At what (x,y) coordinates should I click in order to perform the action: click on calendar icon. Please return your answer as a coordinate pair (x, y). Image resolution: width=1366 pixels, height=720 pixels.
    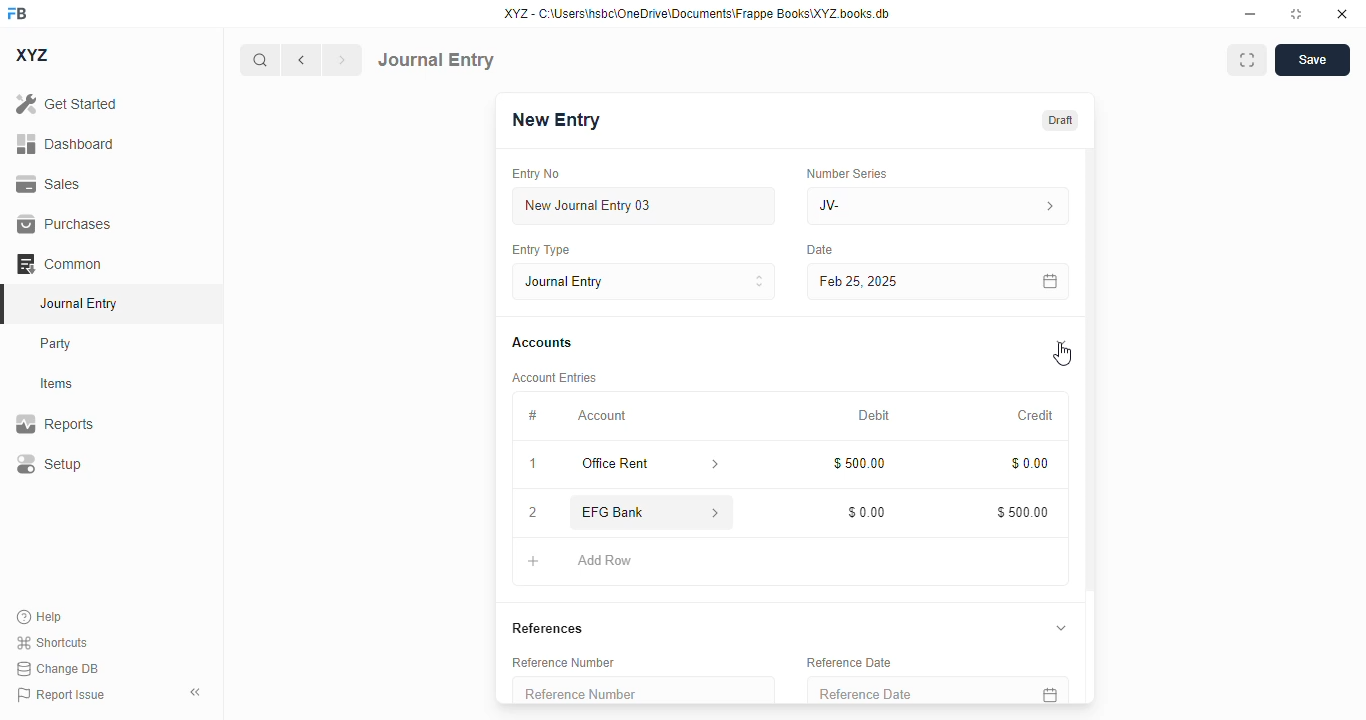
    Looking at the image, I should click on (1051, 282).